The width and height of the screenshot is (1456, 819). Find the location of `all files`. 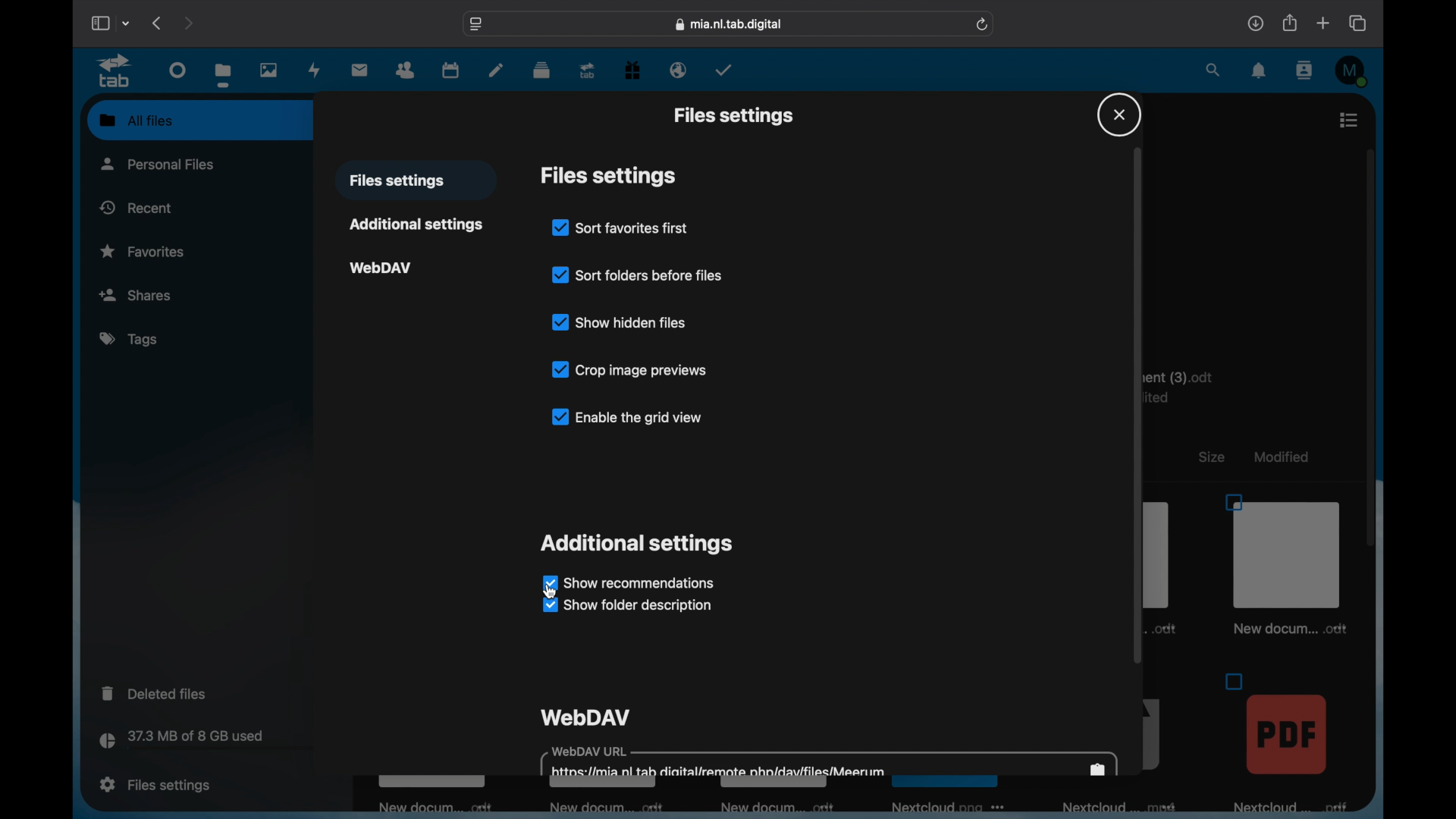

all files is located at coordinates (136, 120).